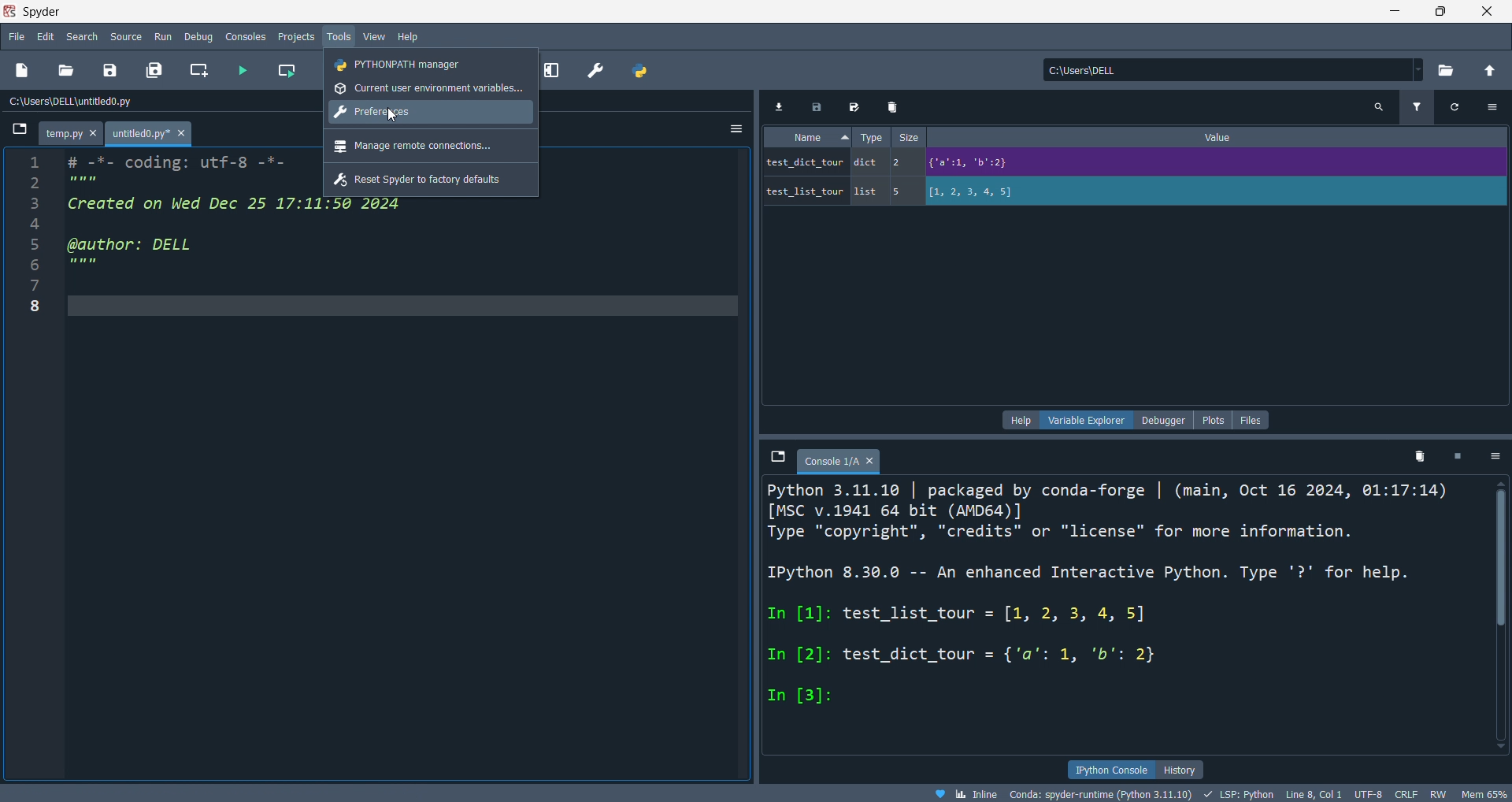 This screenshot has height=802, width=1512. I want to click on maximize/restore, so click(1439, 13).